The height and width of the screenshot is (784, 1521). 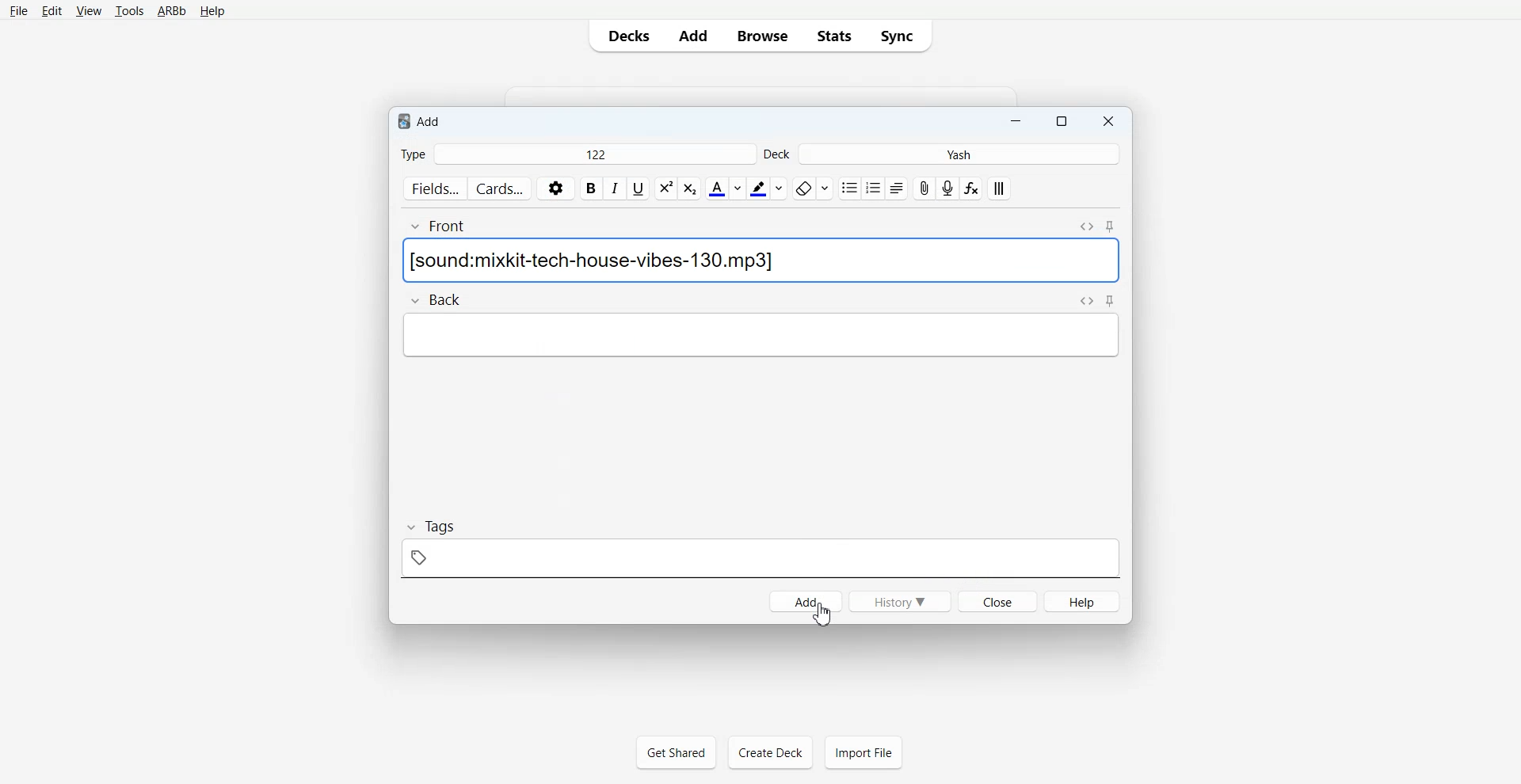 What do you see at coordinates (425, 152) in the screenshot?
I see `type` at bounding box center [425, 152].